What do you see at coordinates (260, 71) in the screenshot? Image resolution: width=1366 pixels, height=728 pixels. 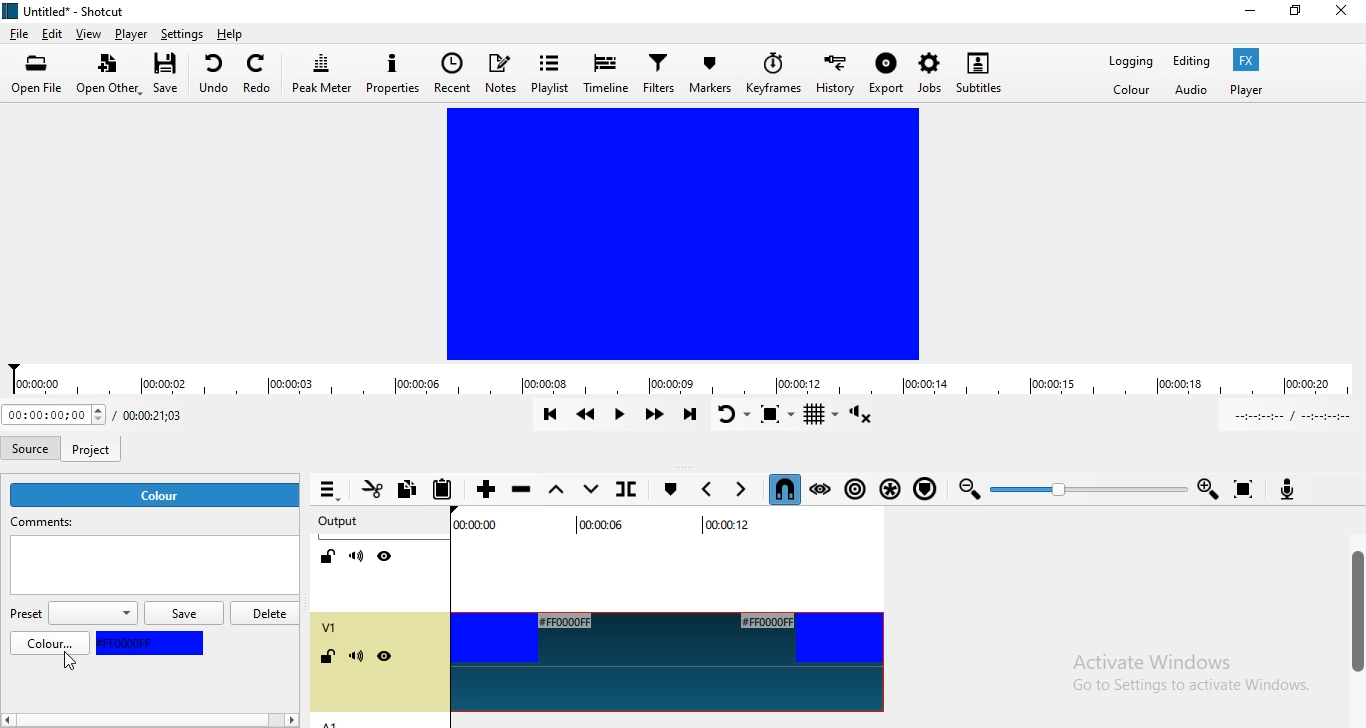 I see `Redo` at bounding box center [260, 71].